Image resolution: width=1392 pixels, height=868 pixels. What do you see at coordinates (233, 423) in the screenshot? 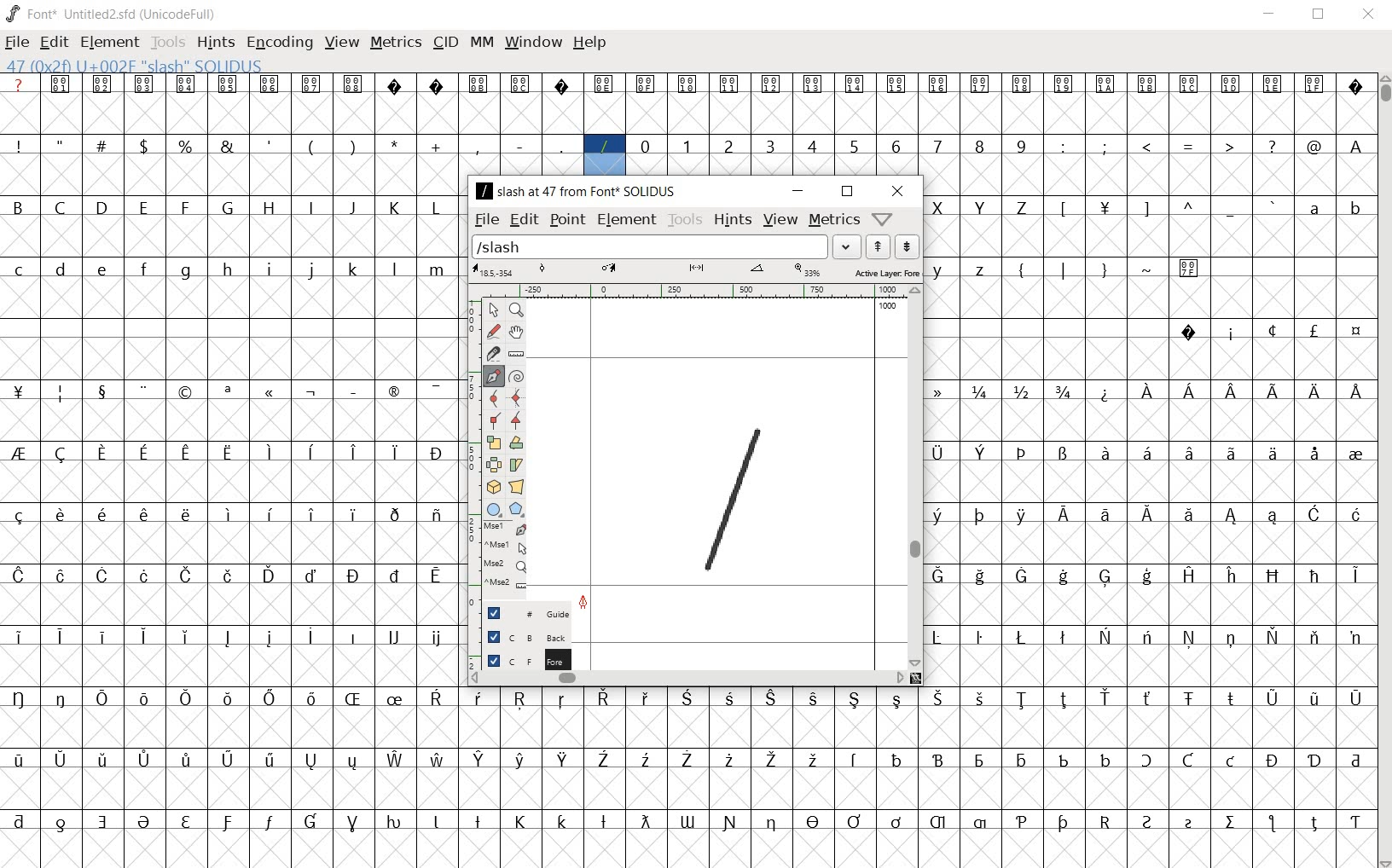
I see `empty cells` at bounding box center [233, 423].